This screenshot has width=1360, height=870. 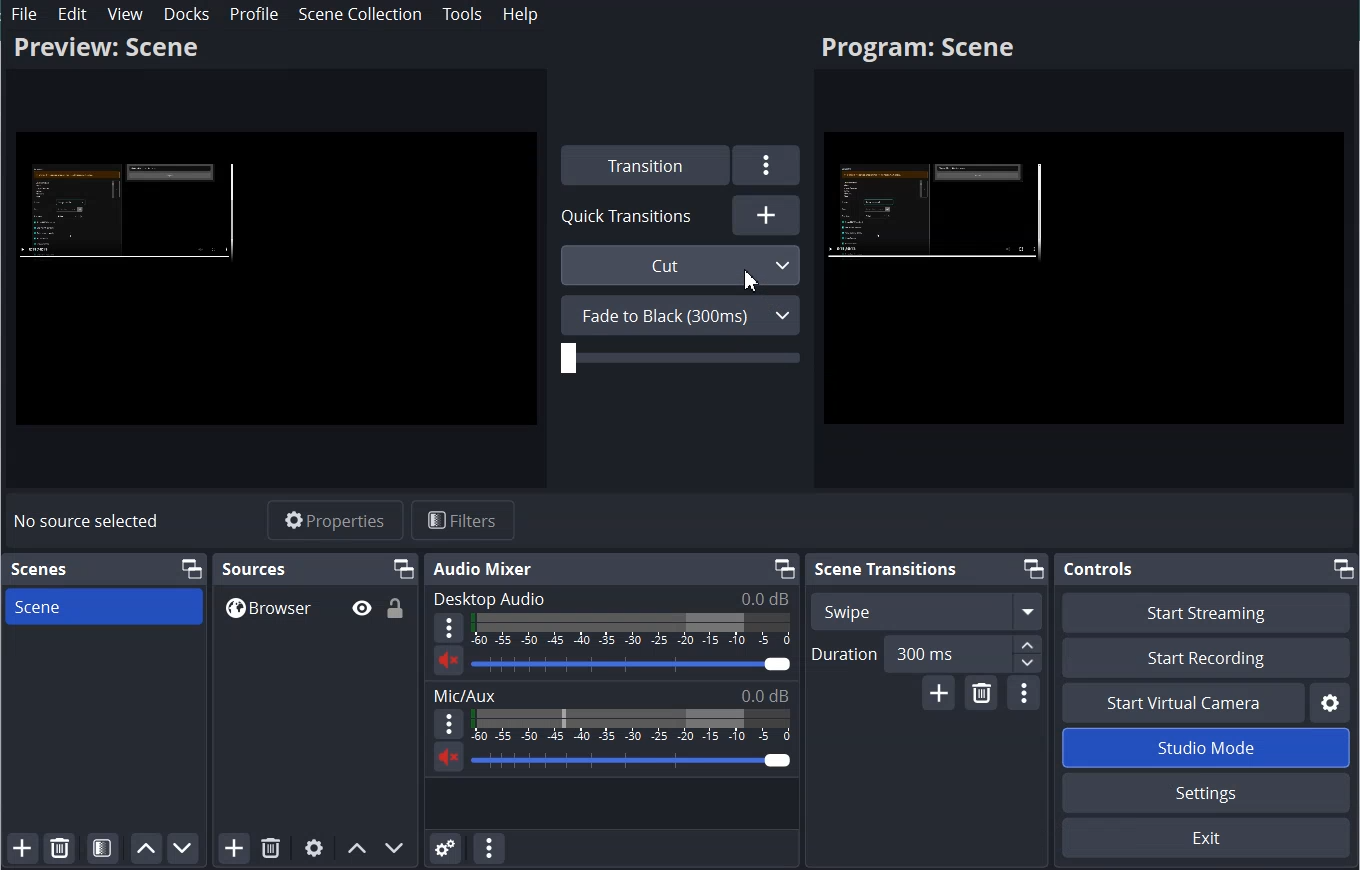 What do you see at coordinates (103, 606) in the screenshot?
I see `Scene` at bounding box center [103, 606].